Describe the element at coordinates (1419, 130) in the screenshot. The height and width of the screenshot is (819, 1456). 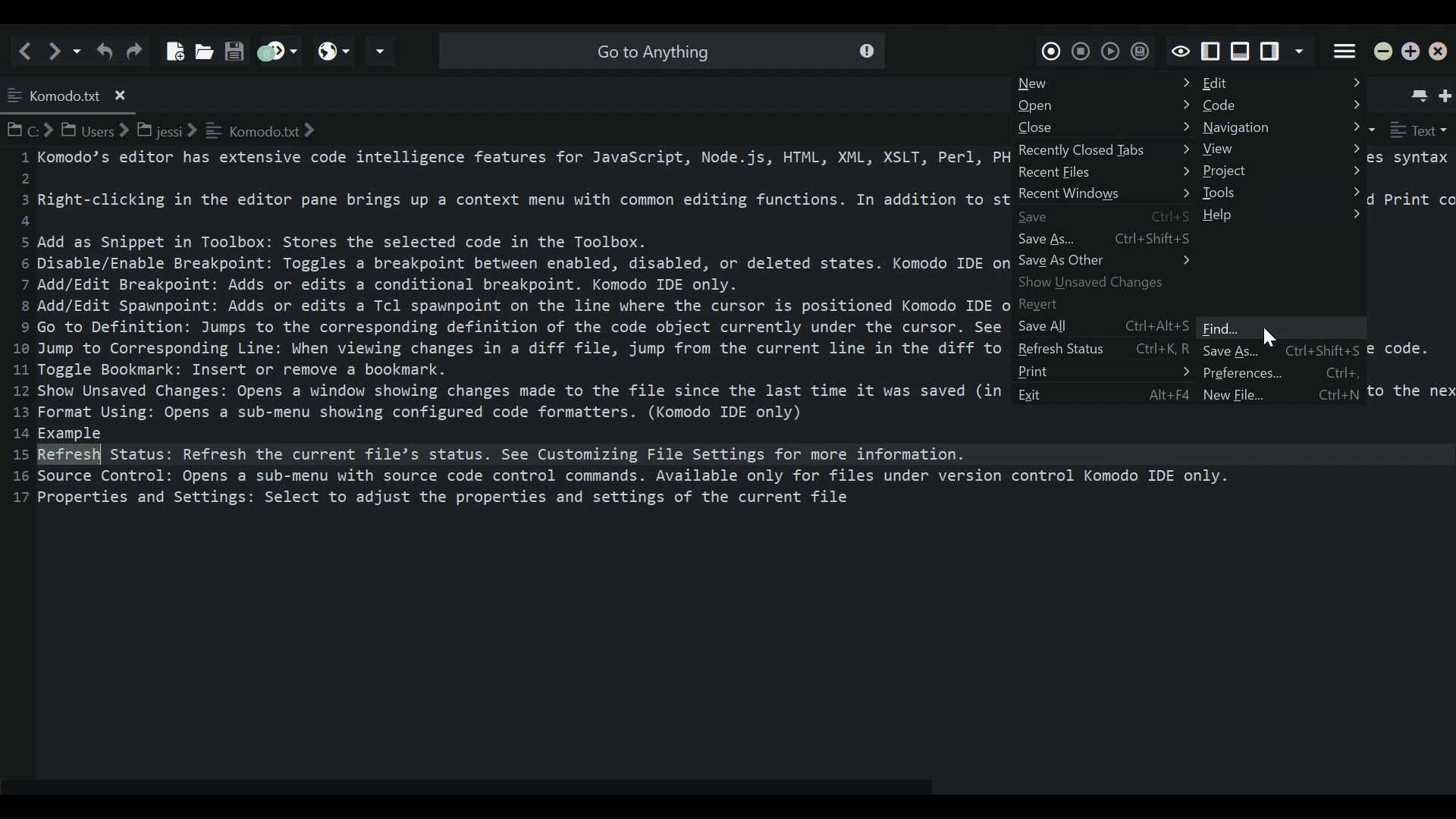
I see `File Type` at that location.